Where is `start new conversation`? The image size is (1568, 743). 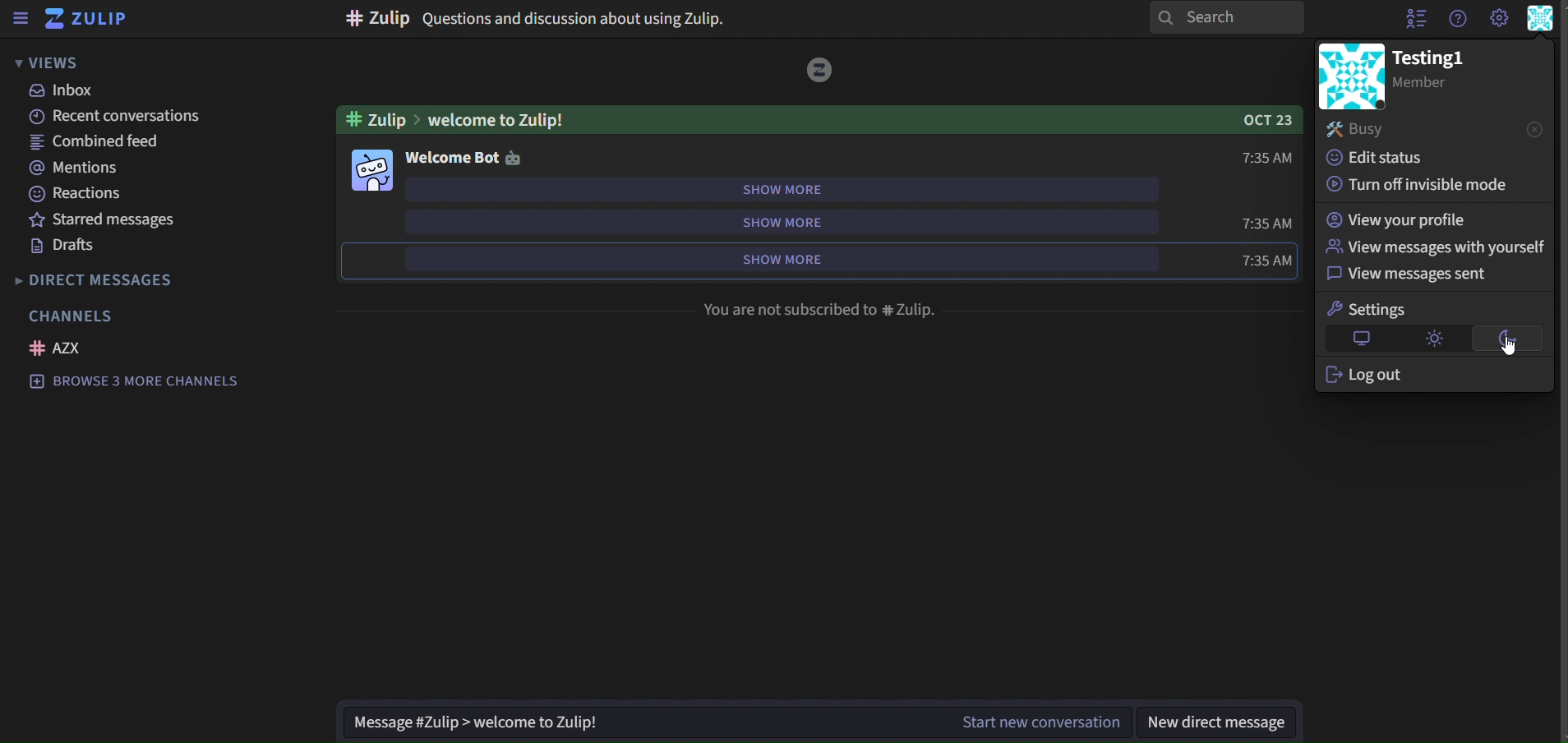
start new conversation is located at coordinates (1042, 720).